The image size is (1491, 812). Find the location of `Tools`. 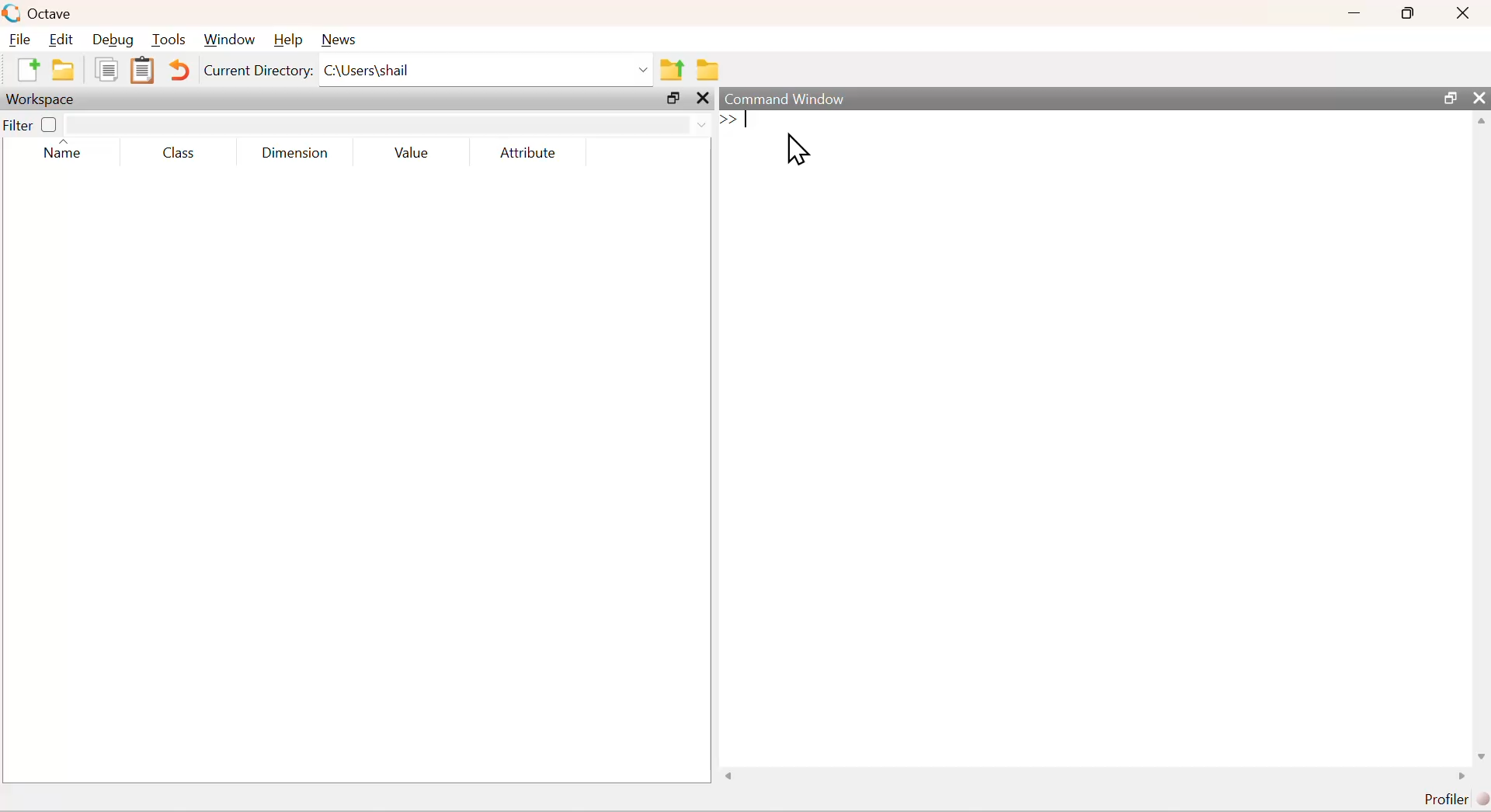

Tools is located at coordinates (169, 41).